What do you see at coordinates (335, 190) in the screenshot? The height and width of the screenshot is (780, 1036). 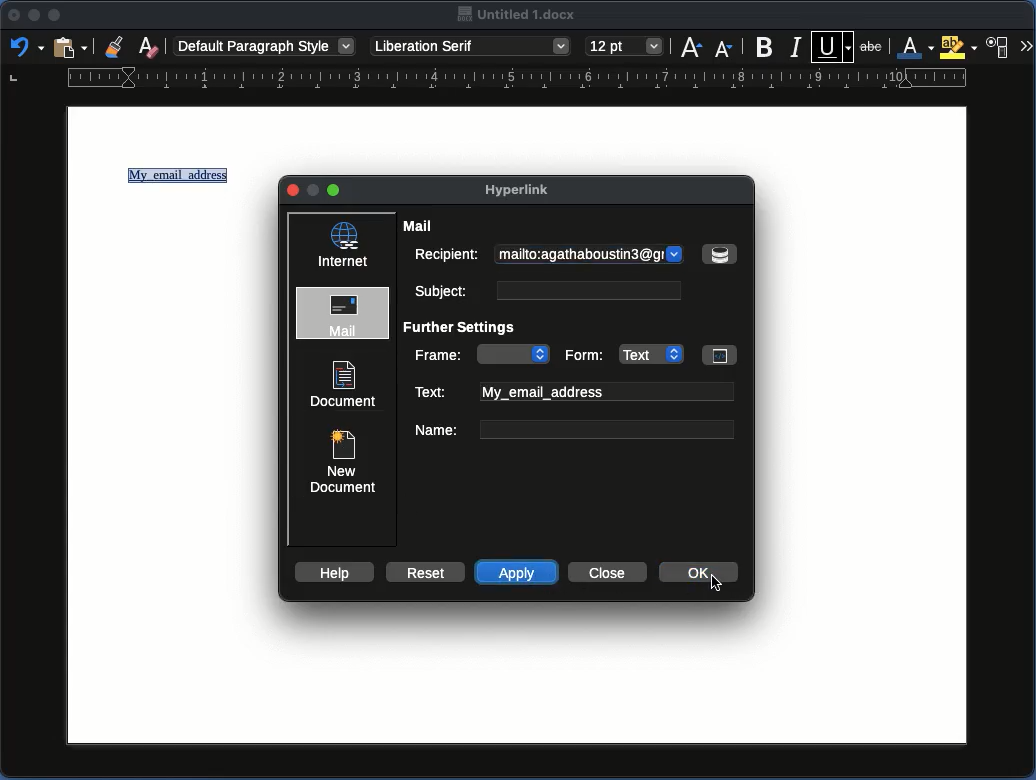 I see `Minimize` at bounding box center [335, 190].